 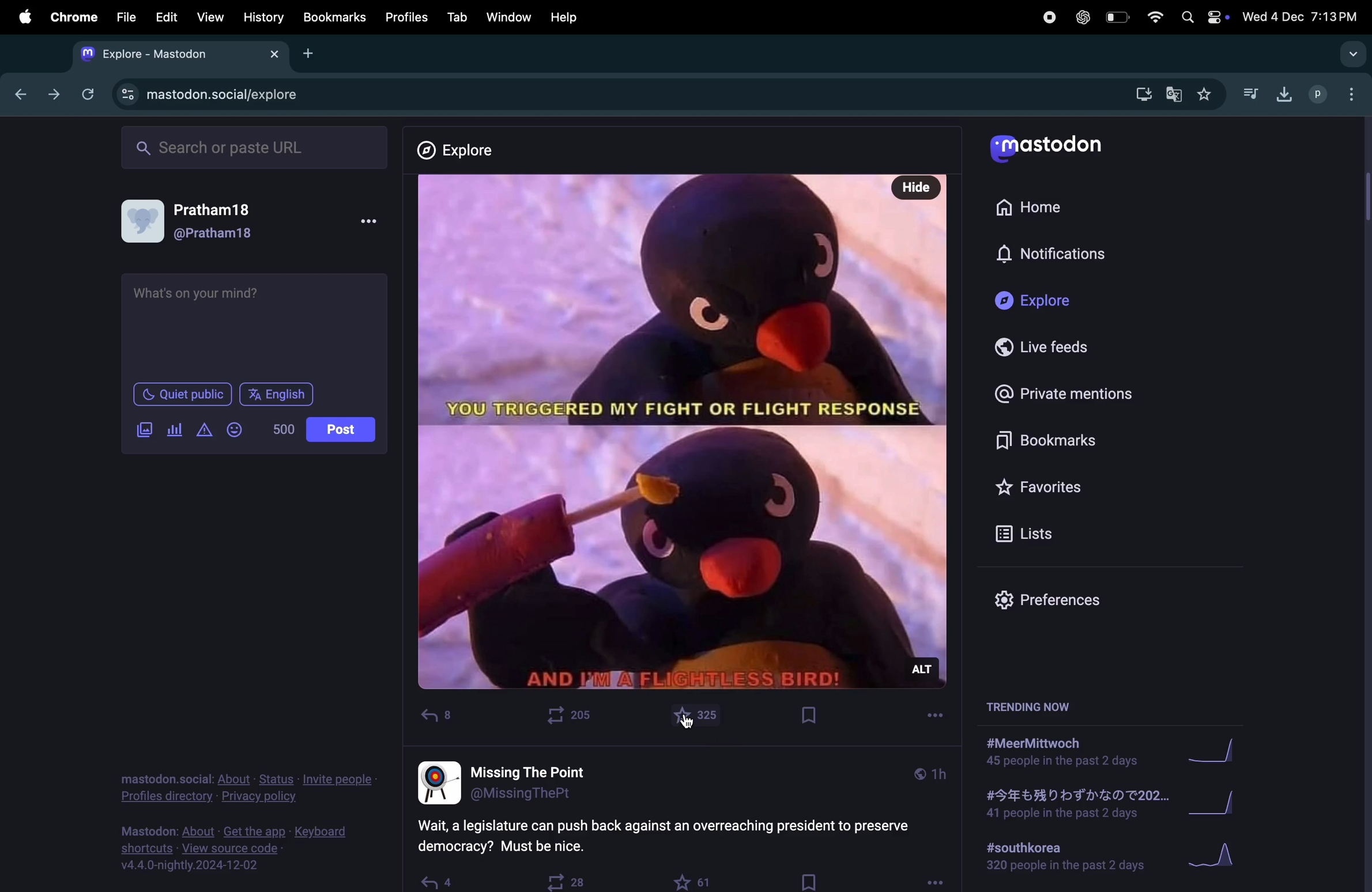 I want to click on search url, so click(x=250, y=146).